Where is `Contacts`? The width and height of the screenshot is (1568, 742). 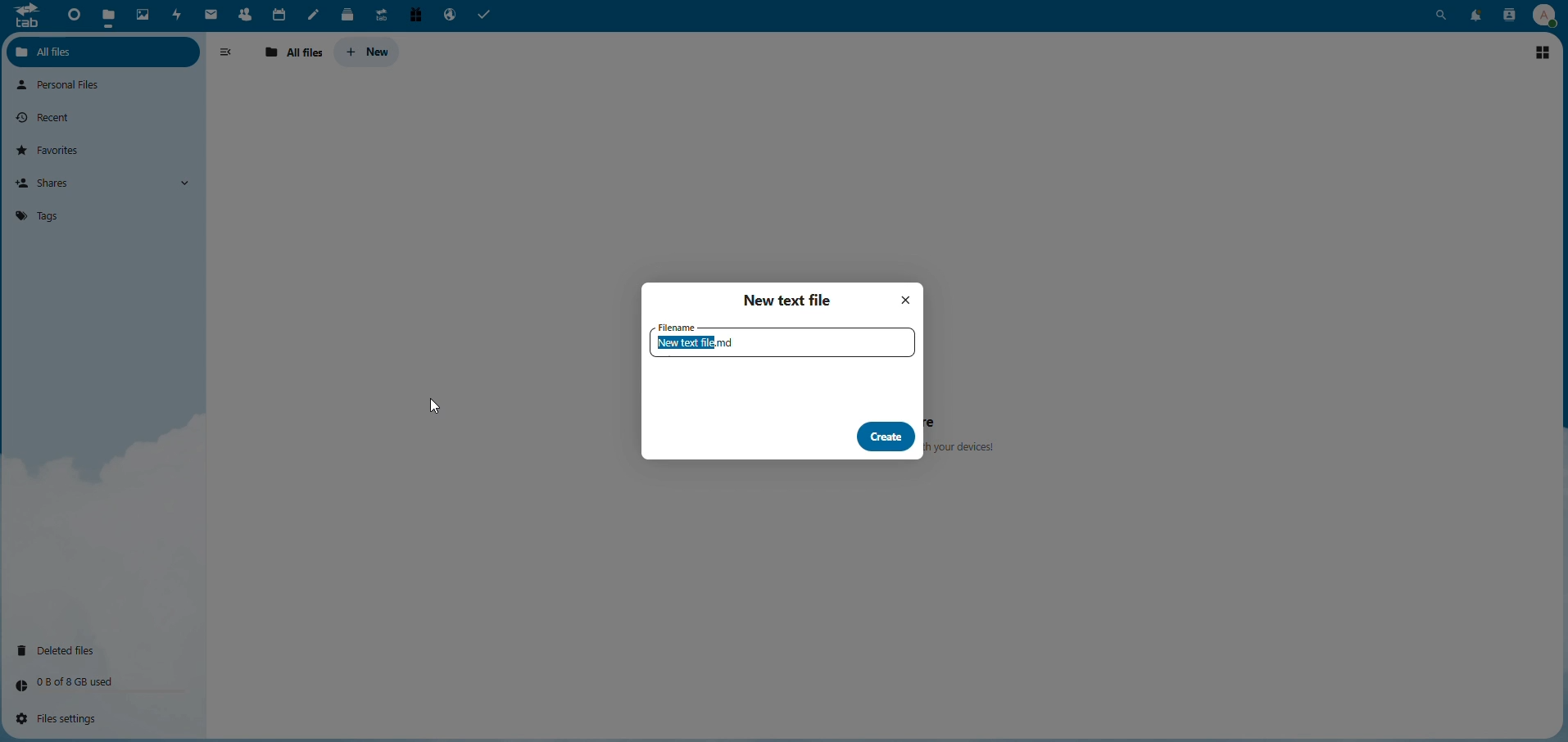 Contacts is located at coordinates (1507, 16).